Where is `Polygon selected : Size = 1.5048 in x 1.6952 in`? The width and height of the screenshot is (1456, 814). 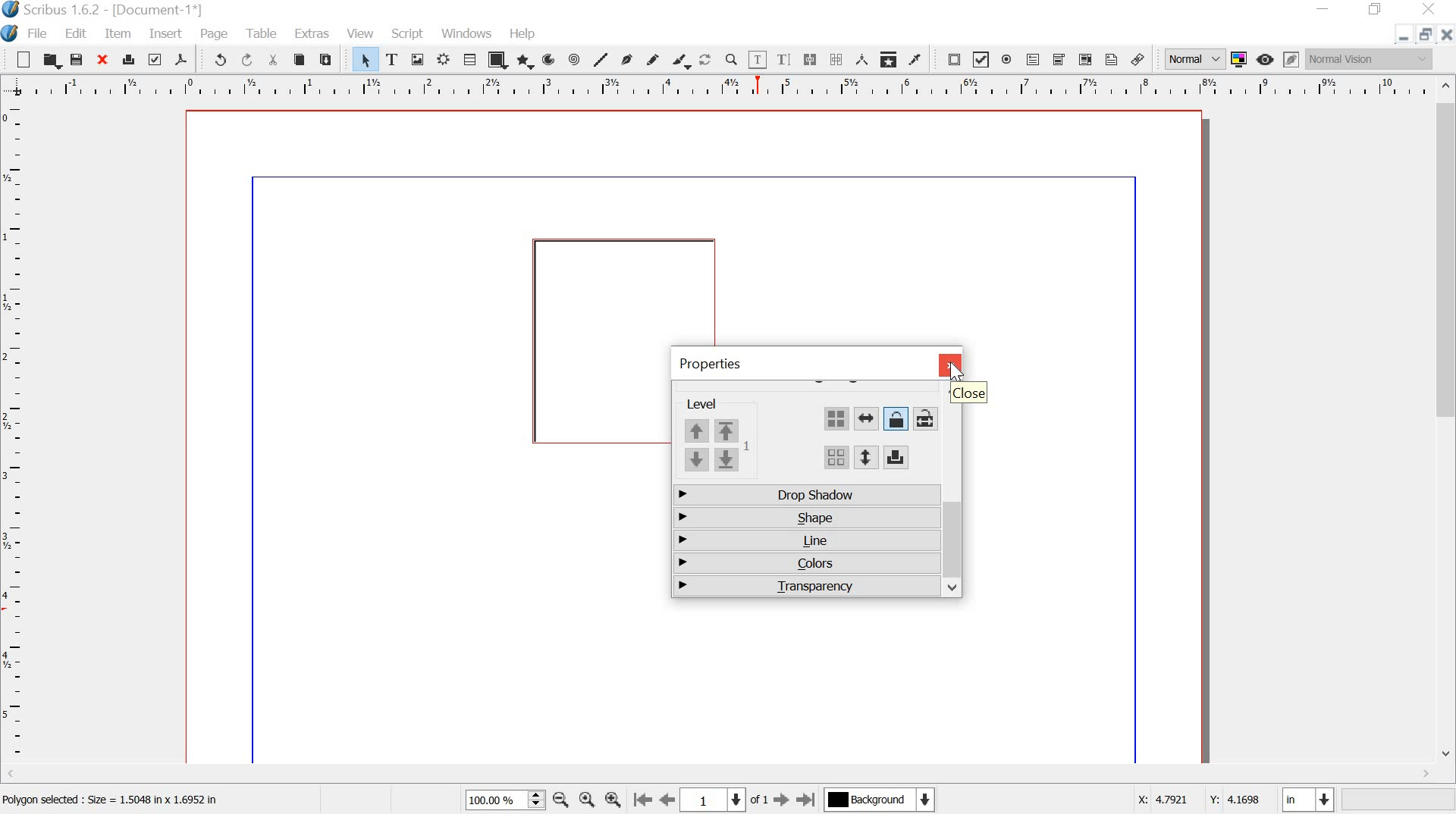
Polygon selected : Size = 1.5048 in x 1.6952 in is located at coordinates (115, 803).